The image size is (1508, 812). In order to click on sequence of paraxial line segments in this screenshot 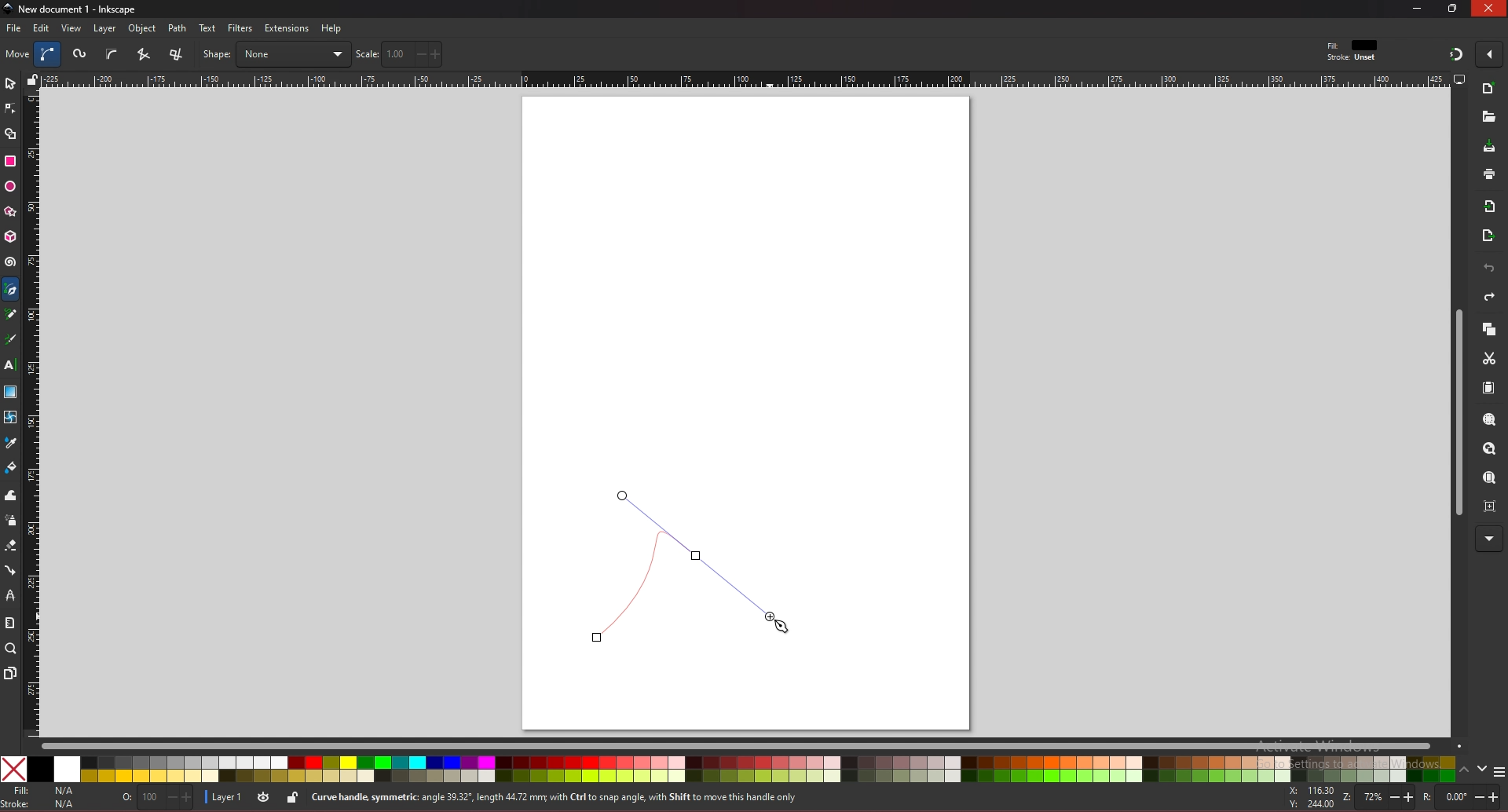, I will do `click(178, 55)`.